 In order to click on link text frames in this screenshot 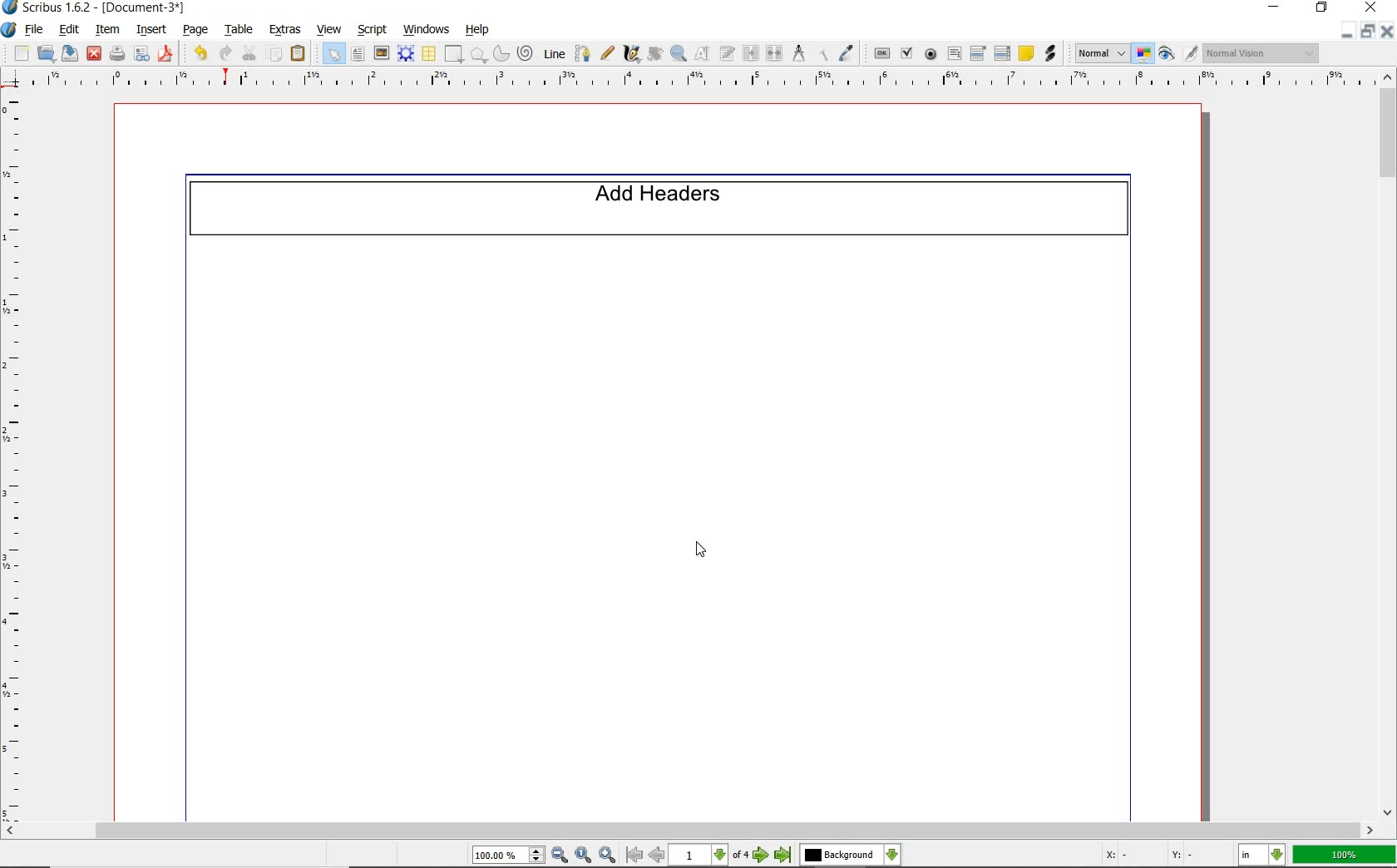, I will do `click(749, 52)`.